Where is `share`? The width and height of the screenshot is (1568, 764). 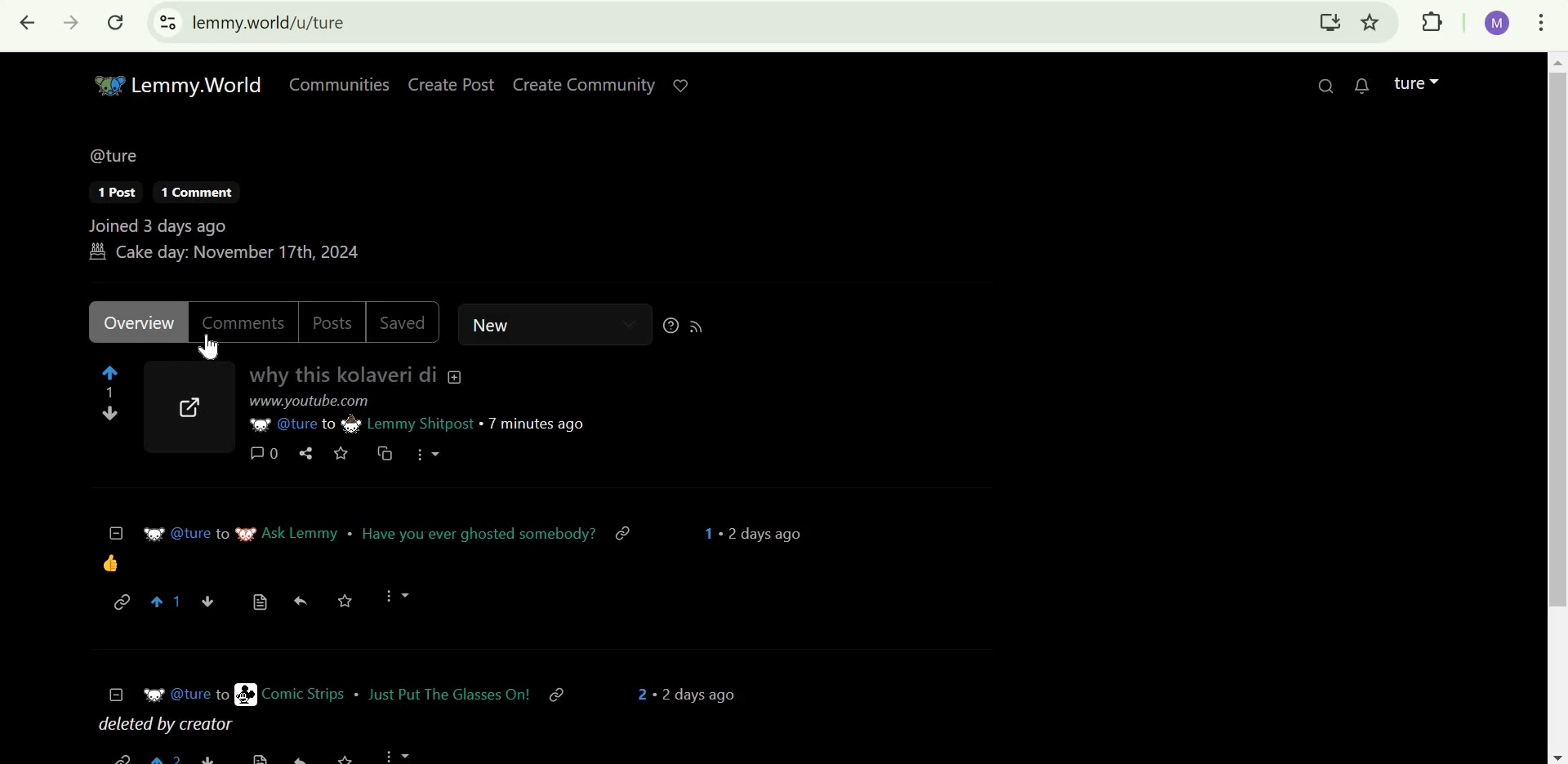 share is located at coordinates (307, 454).